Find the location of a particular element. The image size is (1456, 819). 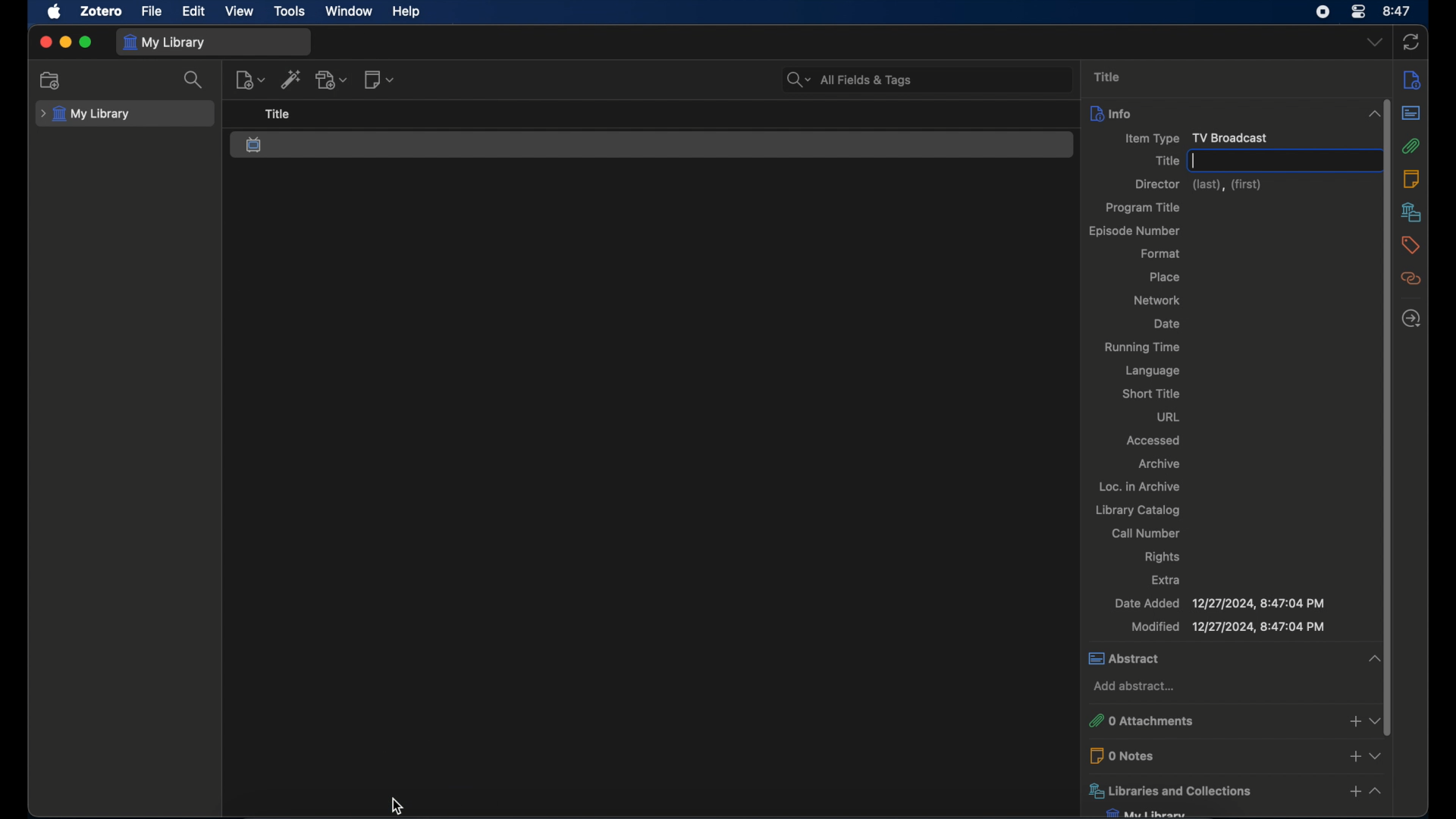

tools is located at coordinates (290, 11).